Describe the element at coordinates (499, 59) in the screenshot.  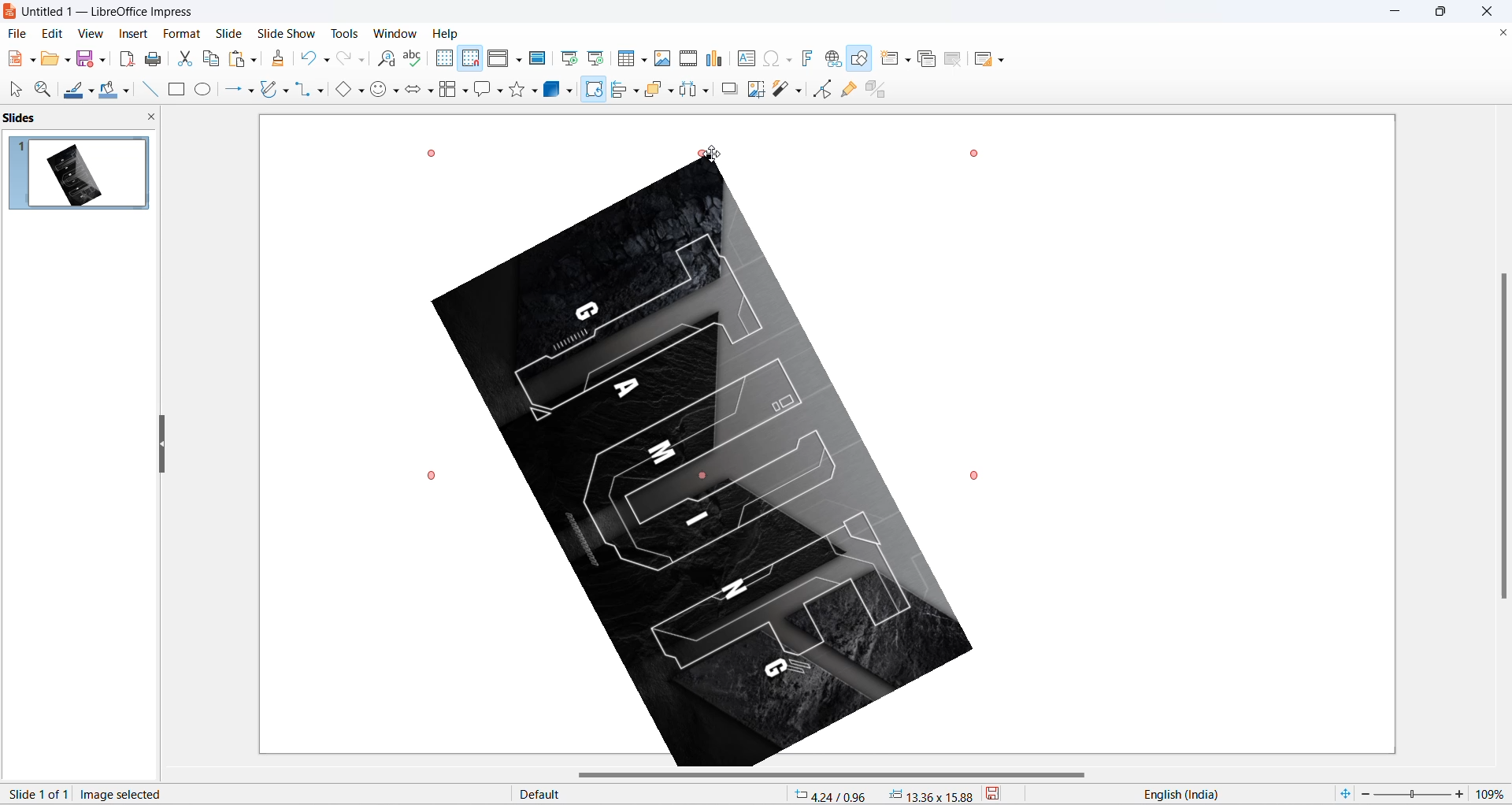
I see `display view` at that location.